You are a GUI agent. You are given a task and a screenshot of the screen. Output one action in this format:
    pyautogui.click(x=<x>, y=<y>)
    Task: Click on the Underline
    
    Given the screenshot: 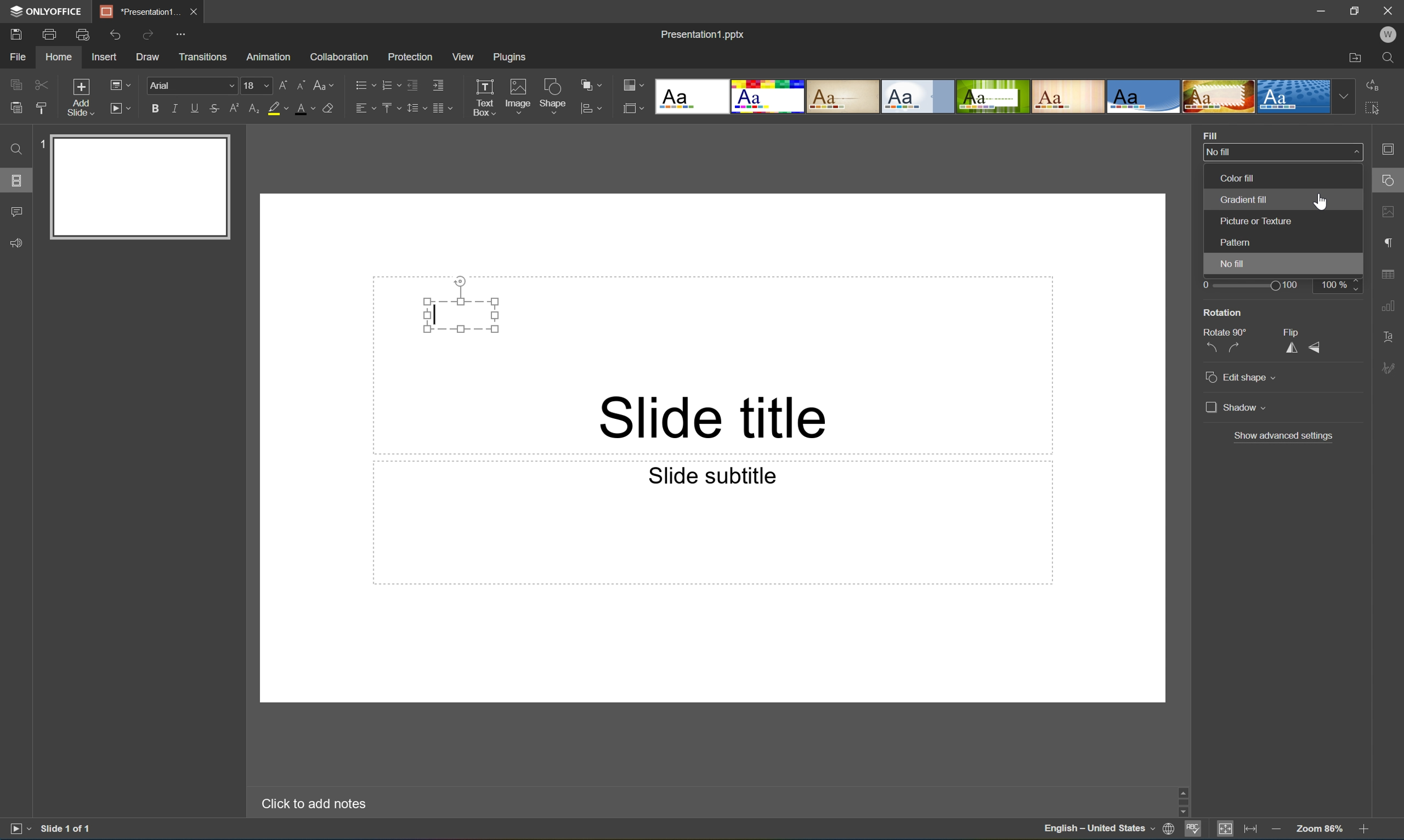 What is the action you would take?
    pyautogui.click(x=195, y=106)
    